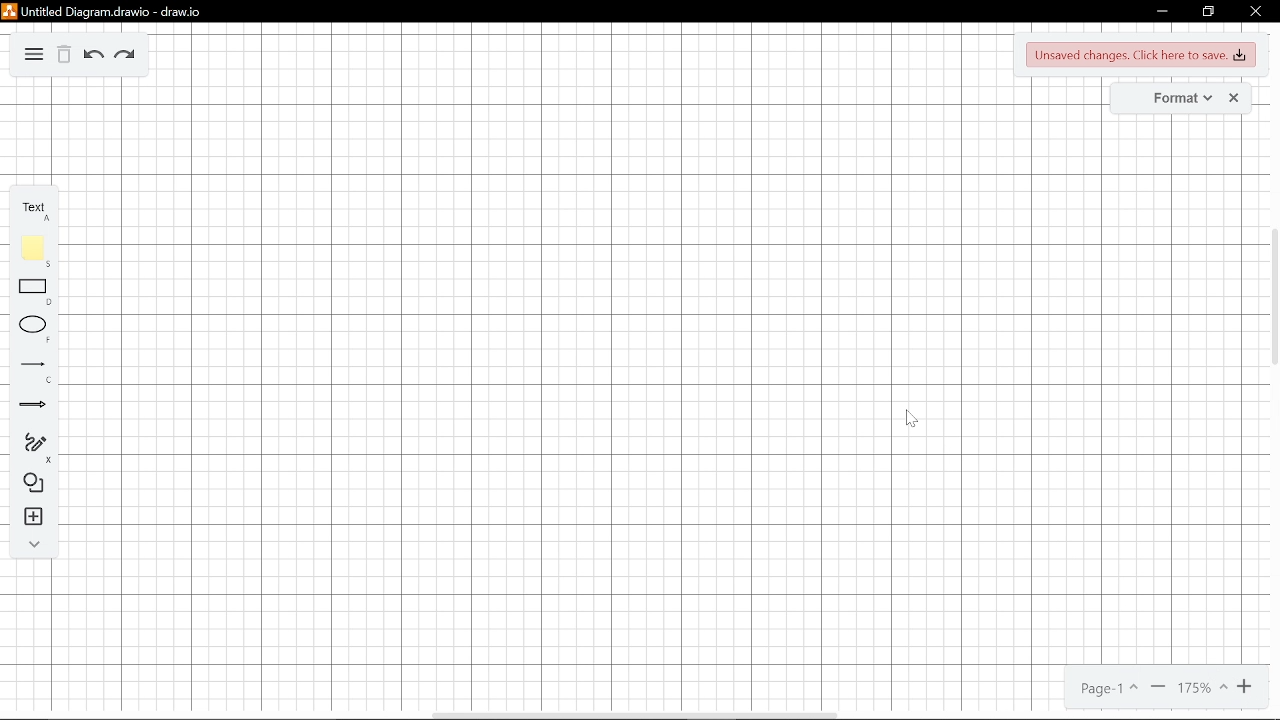 The width and height of the screenshot is (1280, 720). Describe the element at coordinates (30, 207) in the screenshot. I see `text` at that location.